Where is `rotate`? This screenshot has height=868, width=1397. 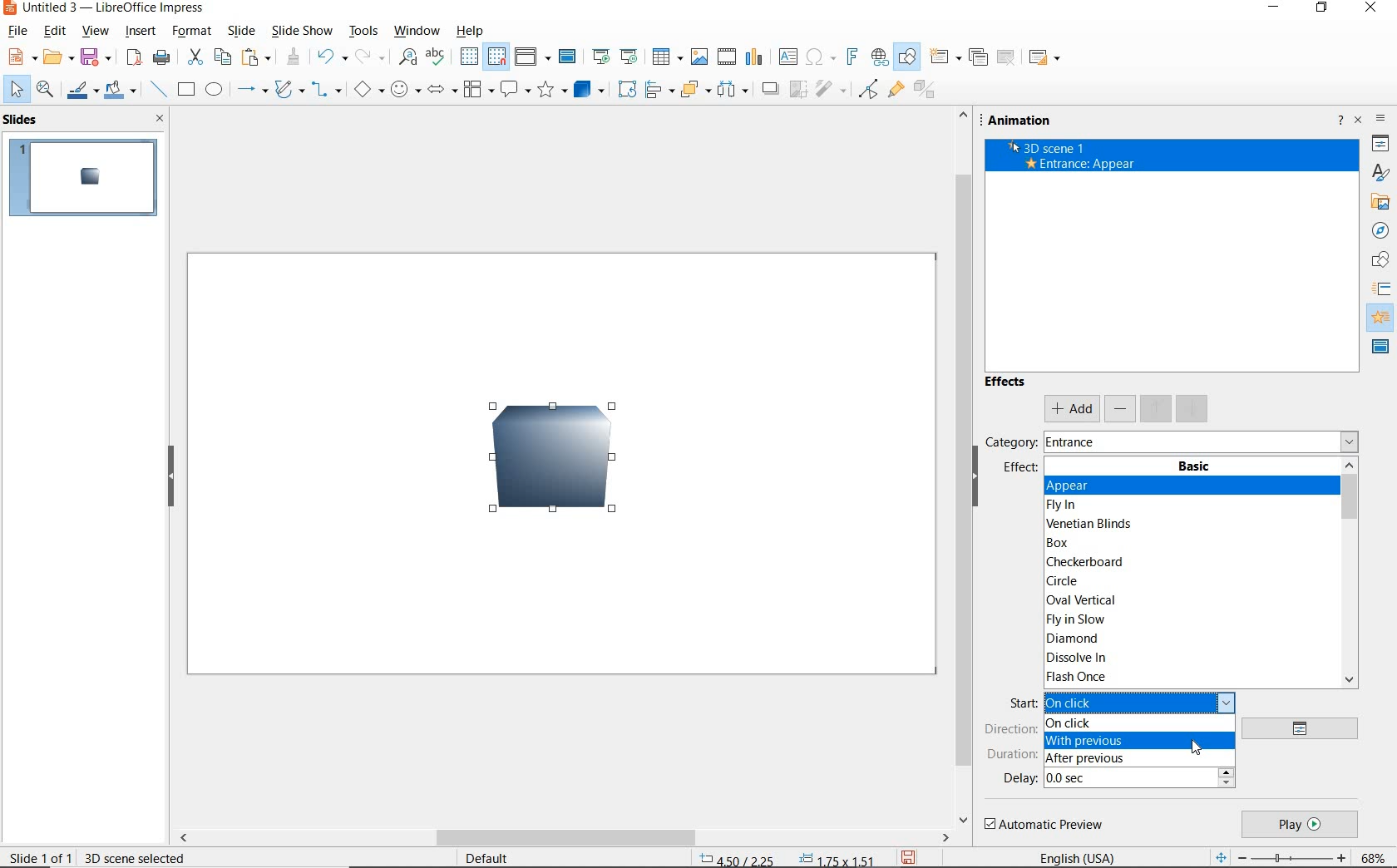 rotate is located at coordinates (629, 89).